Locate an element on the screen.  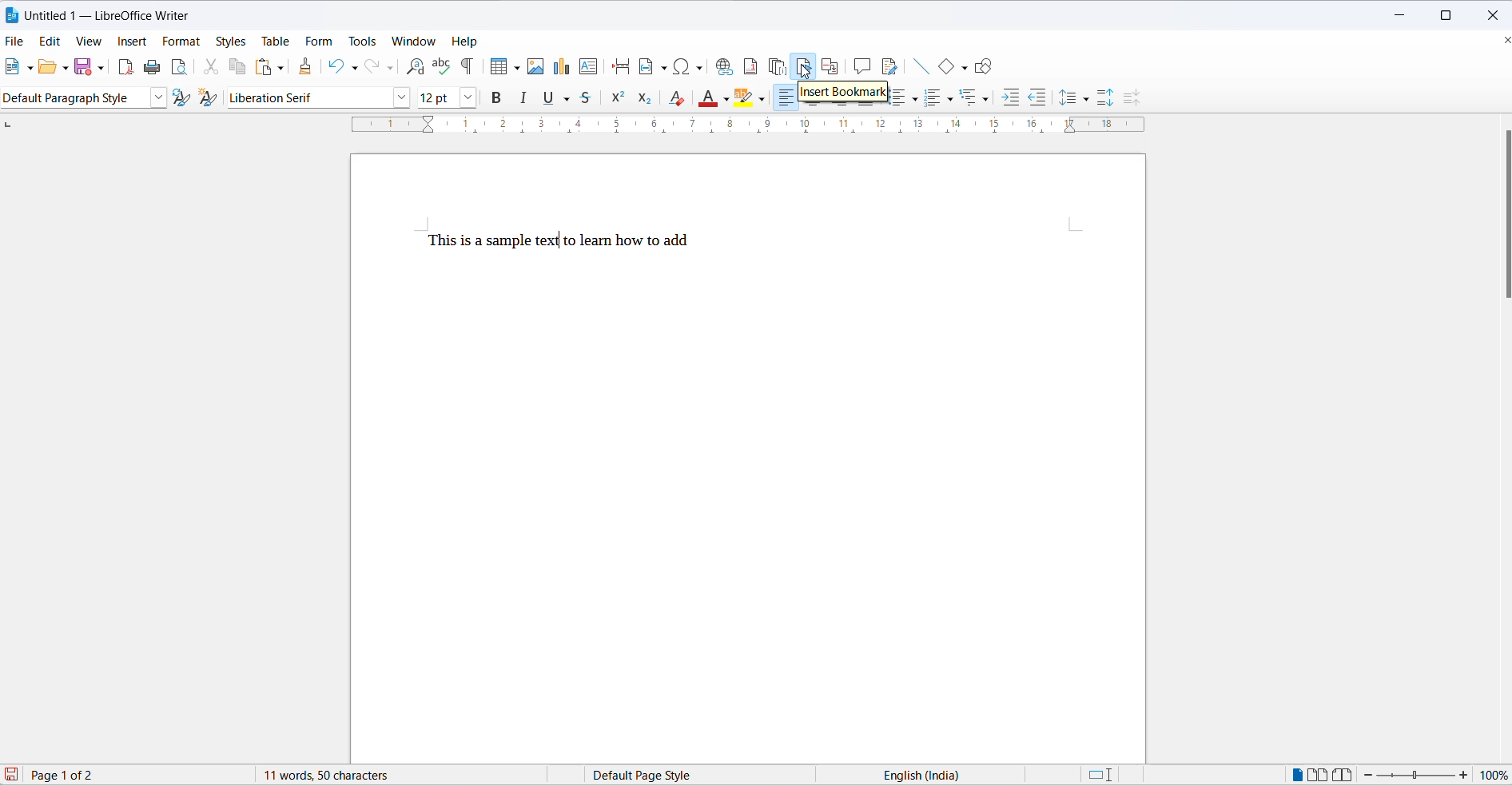
close document is located at coordinates (1502, 41).